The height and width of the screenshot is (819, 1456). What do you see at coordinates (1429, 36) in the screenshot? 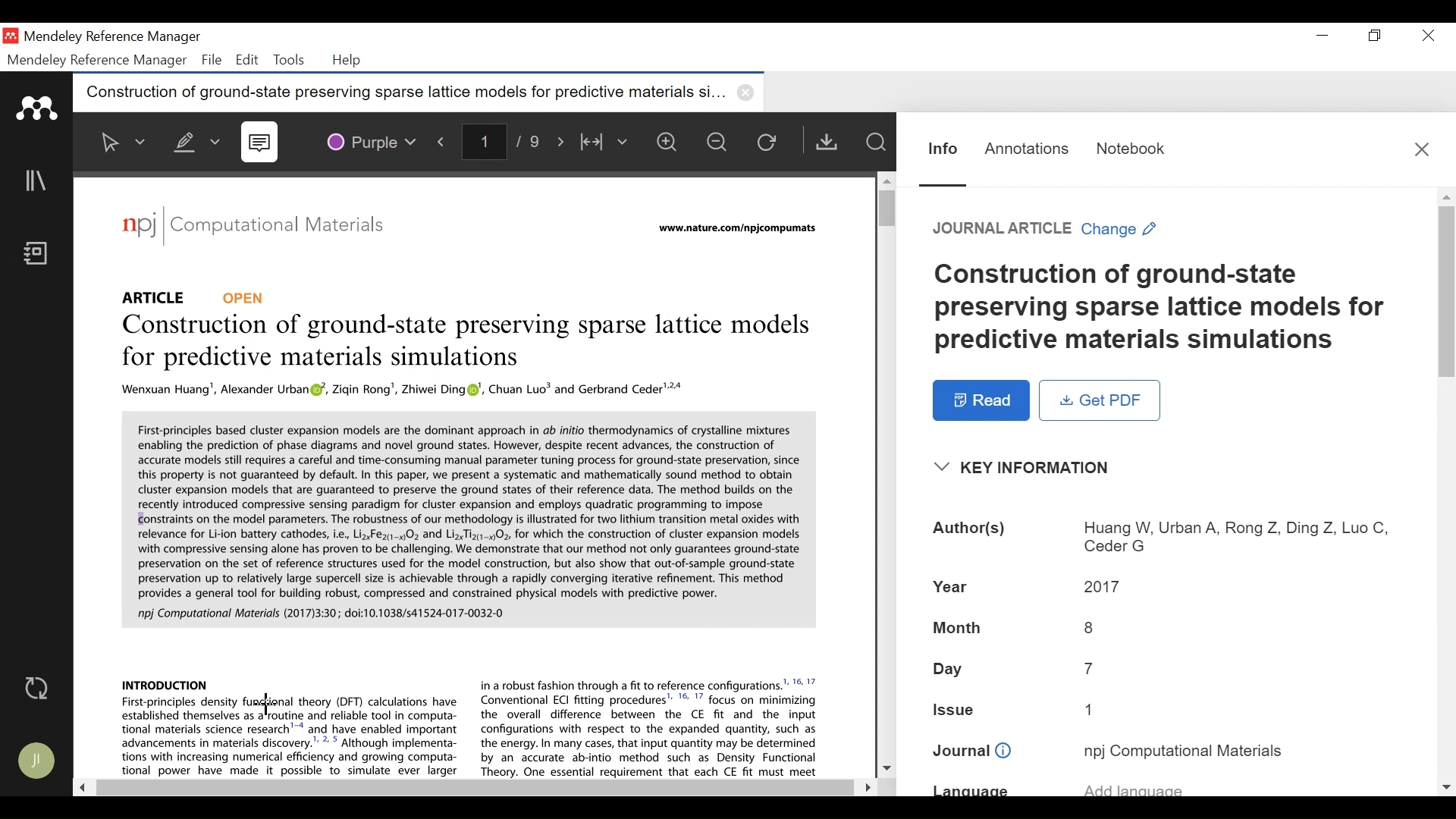
I see `Close` at bounding box center [1429, 36].